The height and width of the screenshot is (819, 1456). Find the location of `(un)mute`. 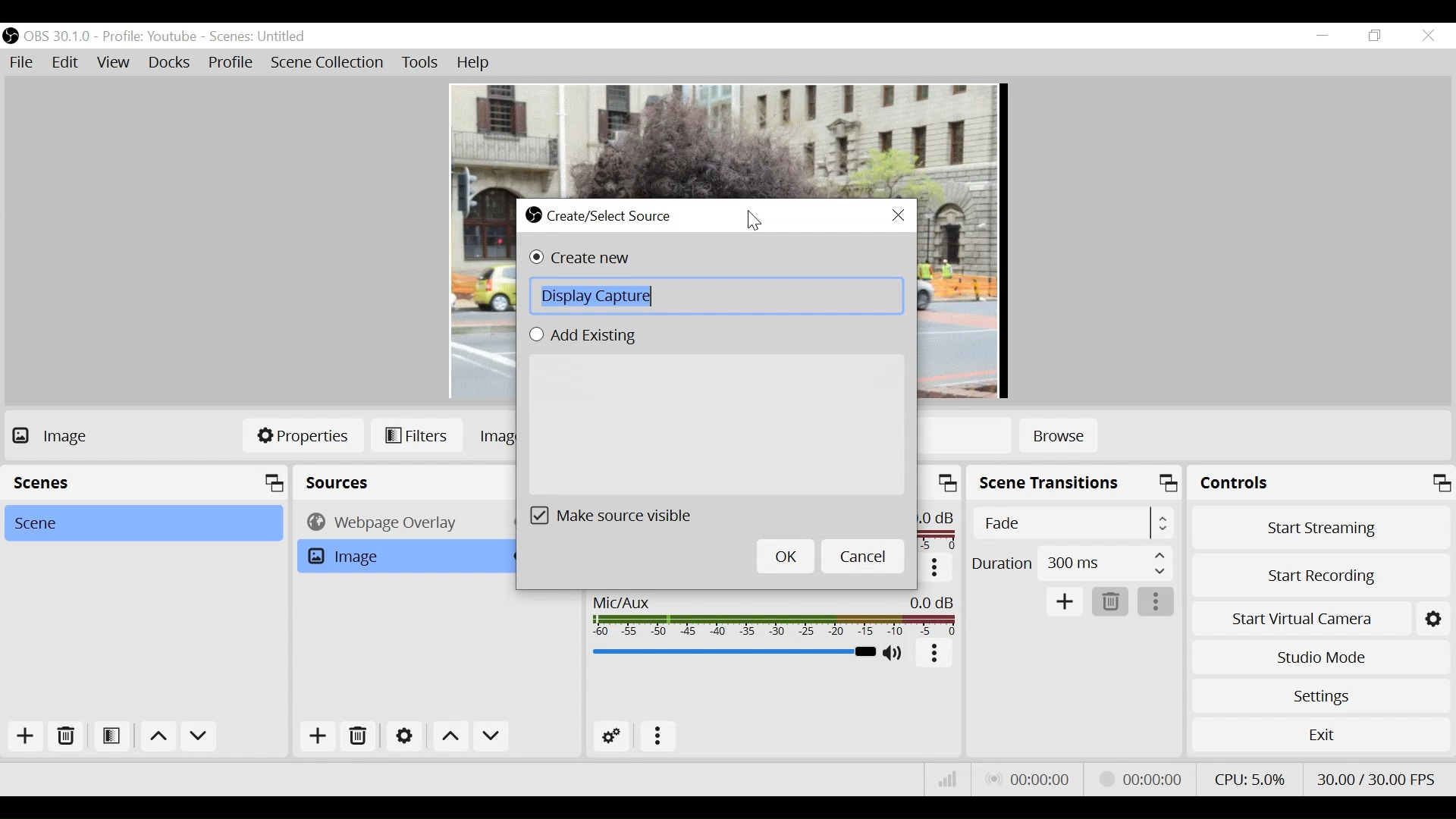

(un)mute is located at coordinates (895, 654).